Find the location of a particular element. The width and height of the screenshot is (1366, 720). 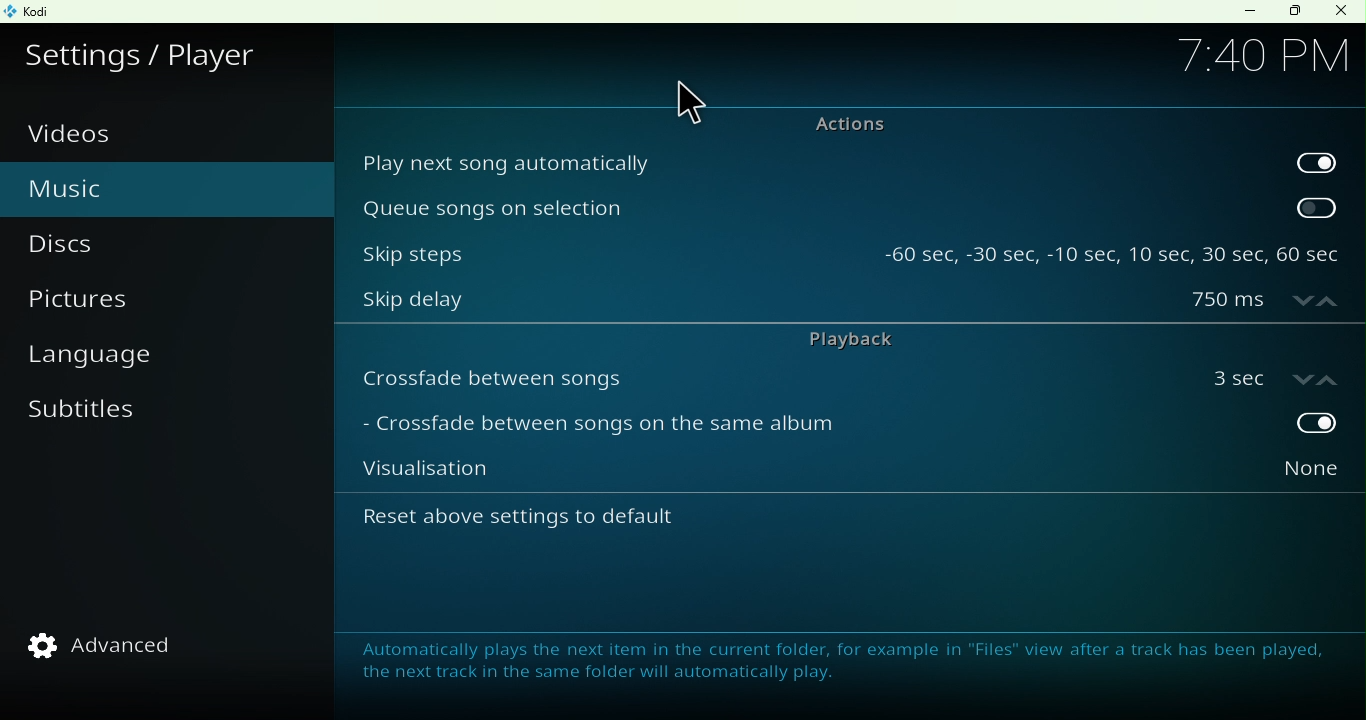

time skips is located at coordinates (1112, 248).